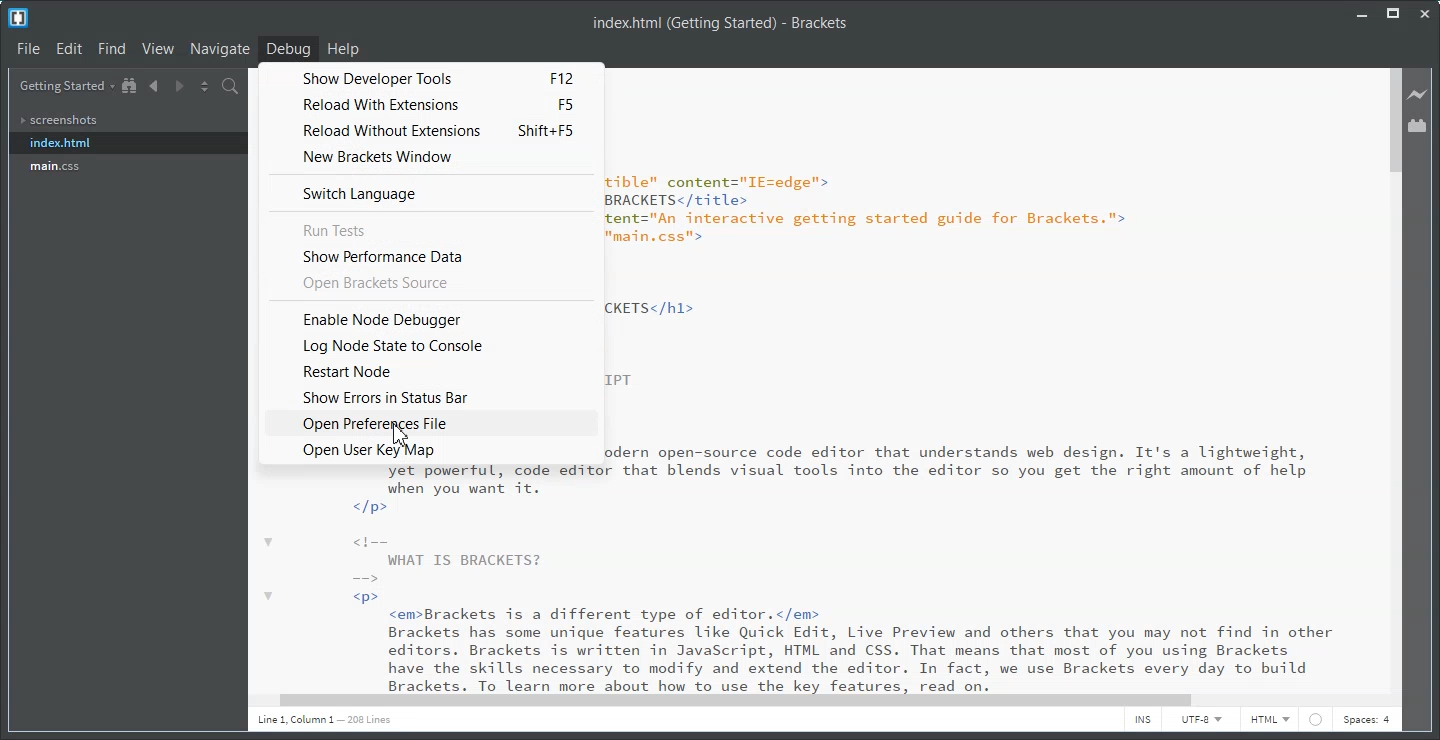 This screenshot has height=740, width=1440. What do you see at coordinates (65, 87) in the screenshot?
I see `Getting Started` at bounding box center [65, 87].